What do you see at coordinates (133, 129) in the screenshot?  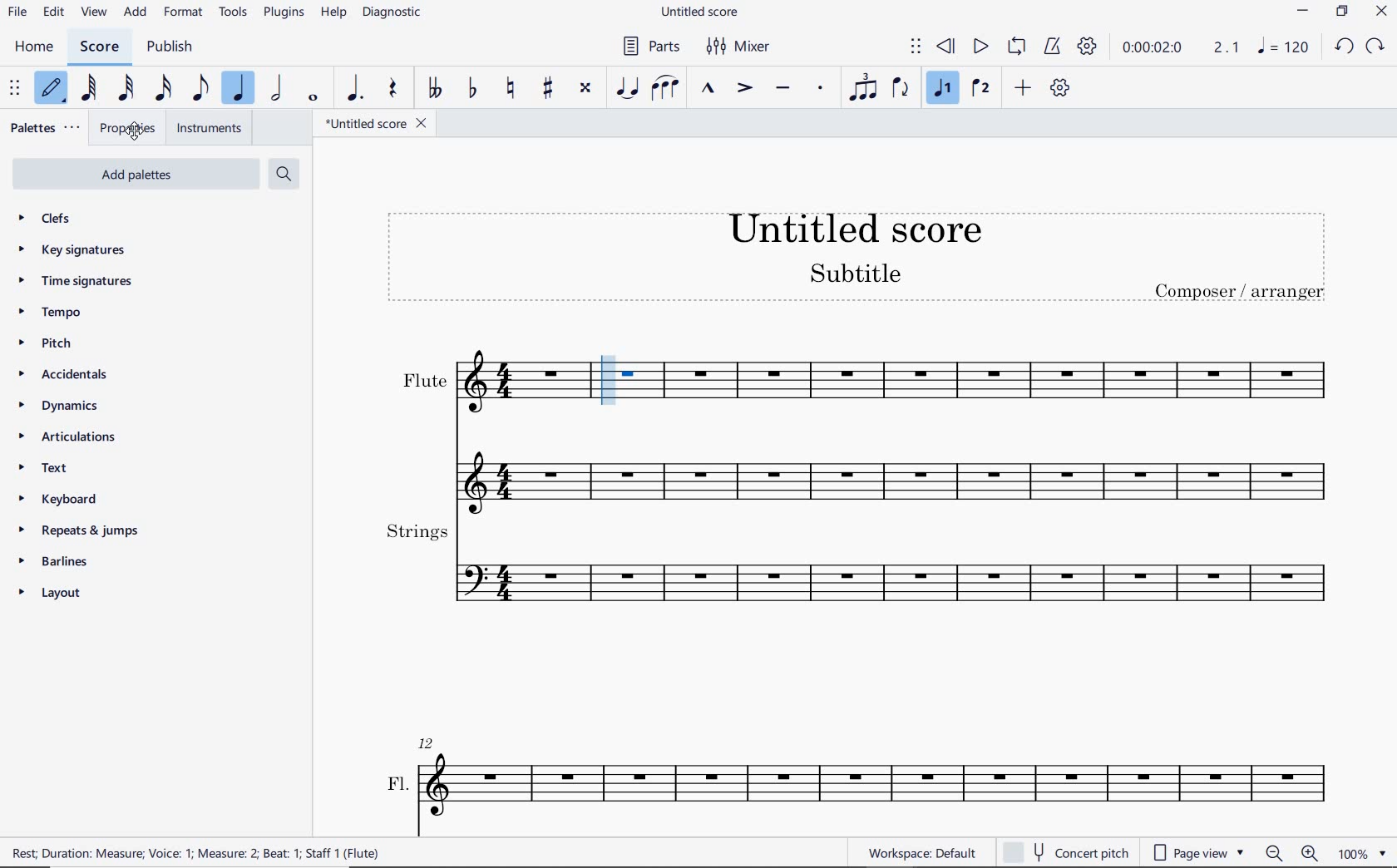 I see `PROPERTIES` at bounding box center [133, 129].